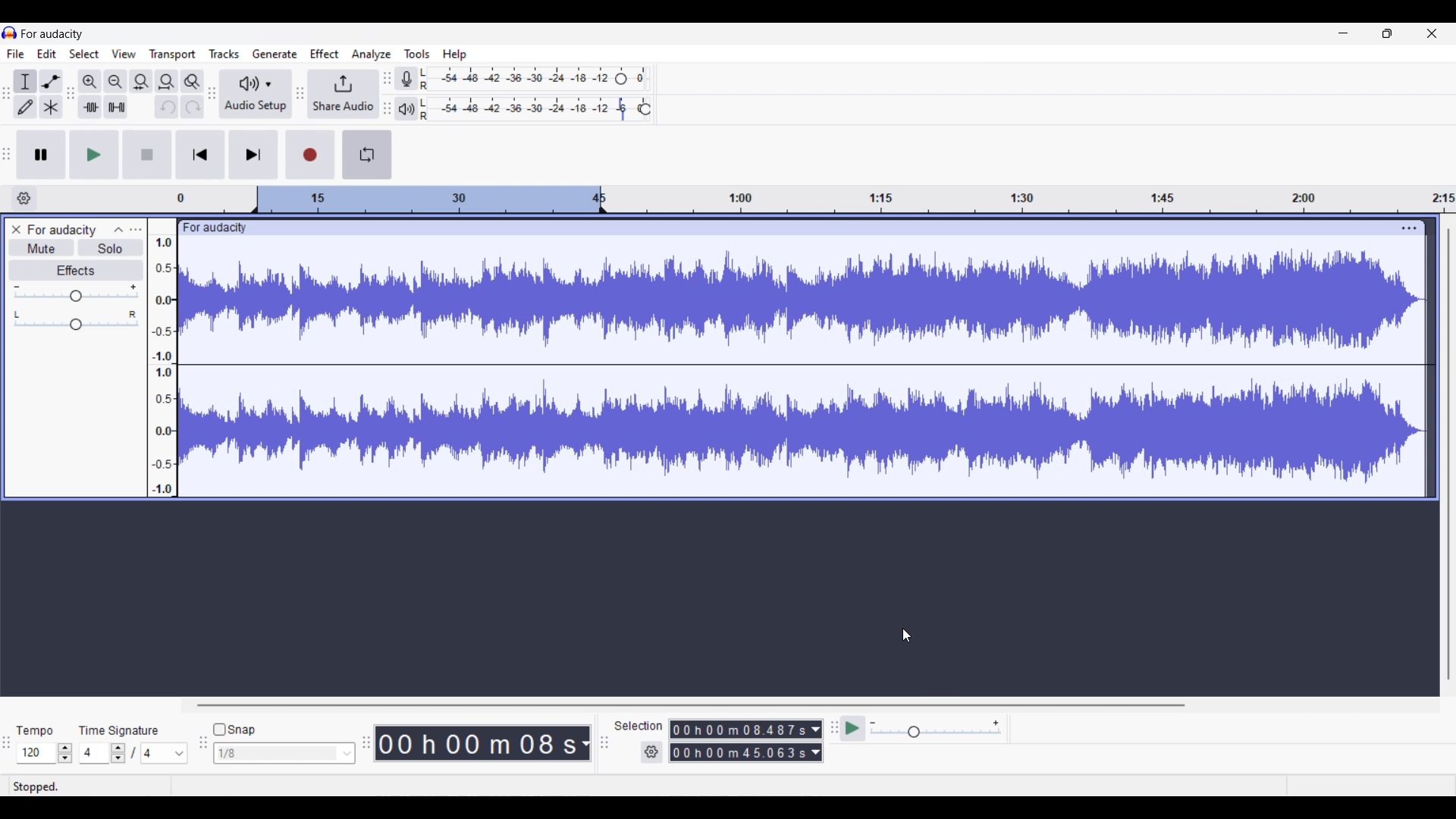 This screenshot has height=819, width=1456. Describe the element at coordinates (224, 54) in the screenshot. I see `Tracks menu` at that location.